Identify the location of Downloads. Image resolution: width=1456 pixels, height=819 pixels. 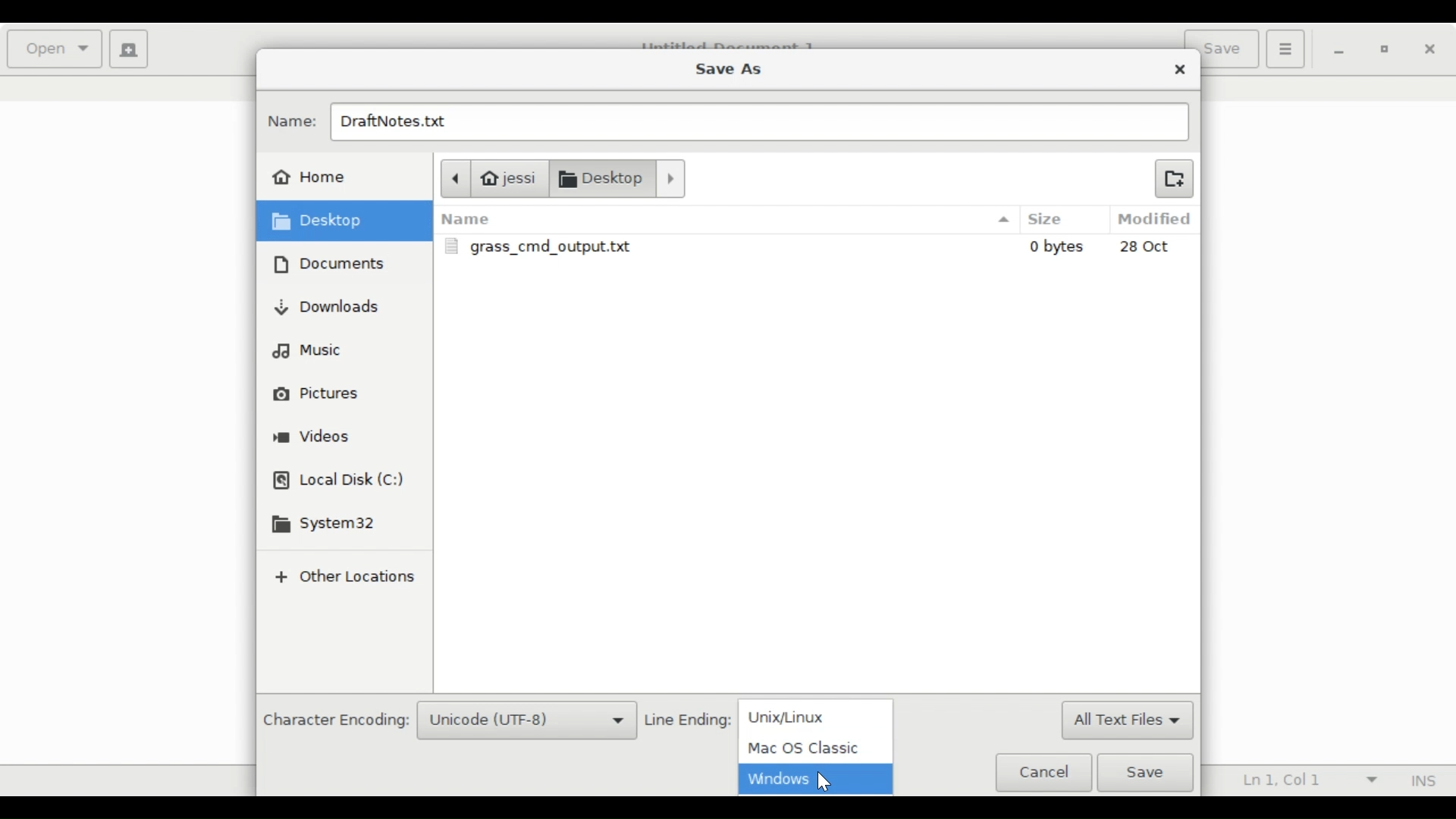
(328, 306).